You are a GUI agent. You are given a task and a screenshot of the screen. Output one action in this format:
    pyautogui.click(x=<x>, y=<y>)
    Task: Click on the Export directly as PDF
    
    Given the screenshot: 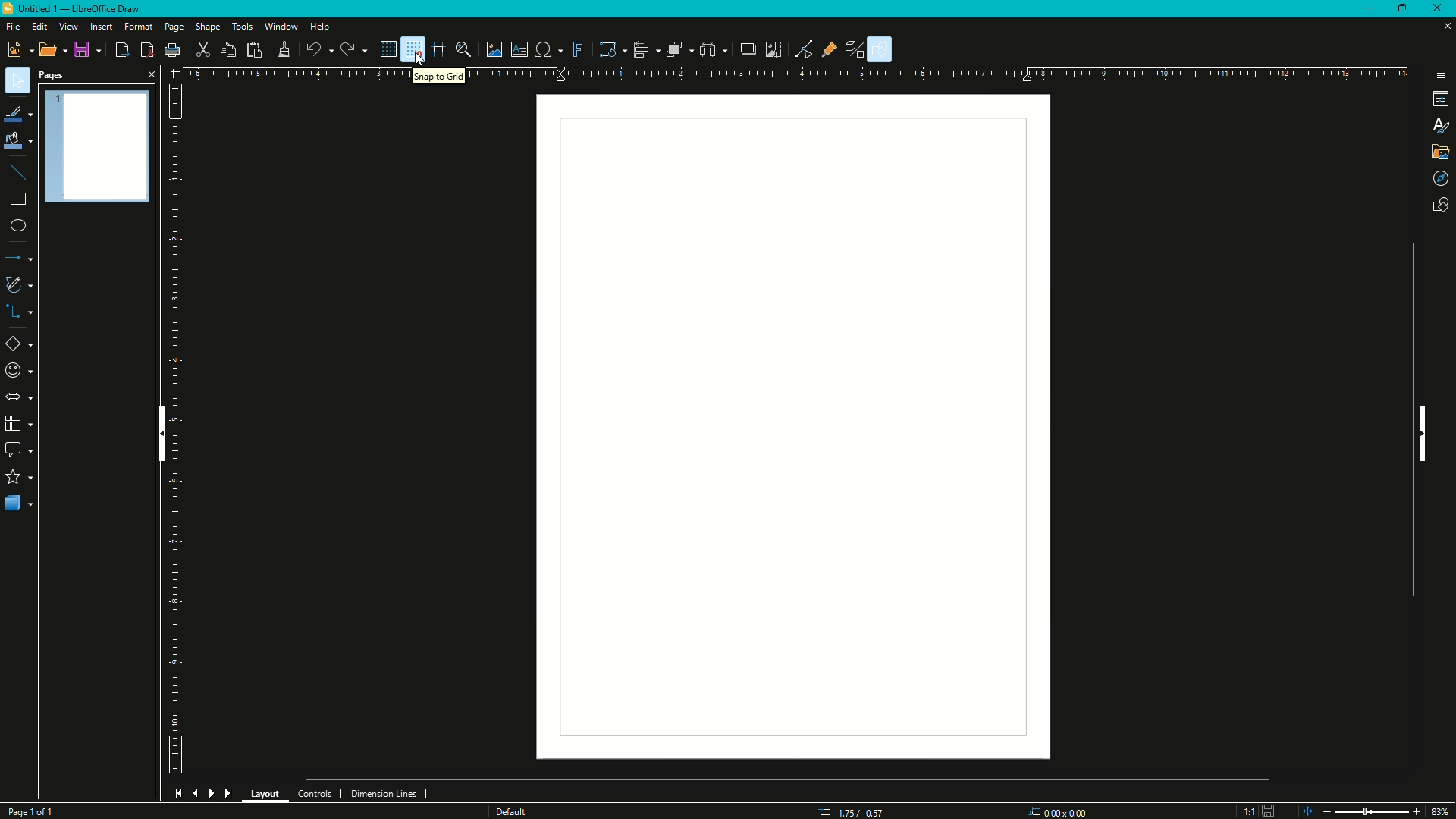 What is the action you would take?
    pyautogui.click(x=149, y=50)
    